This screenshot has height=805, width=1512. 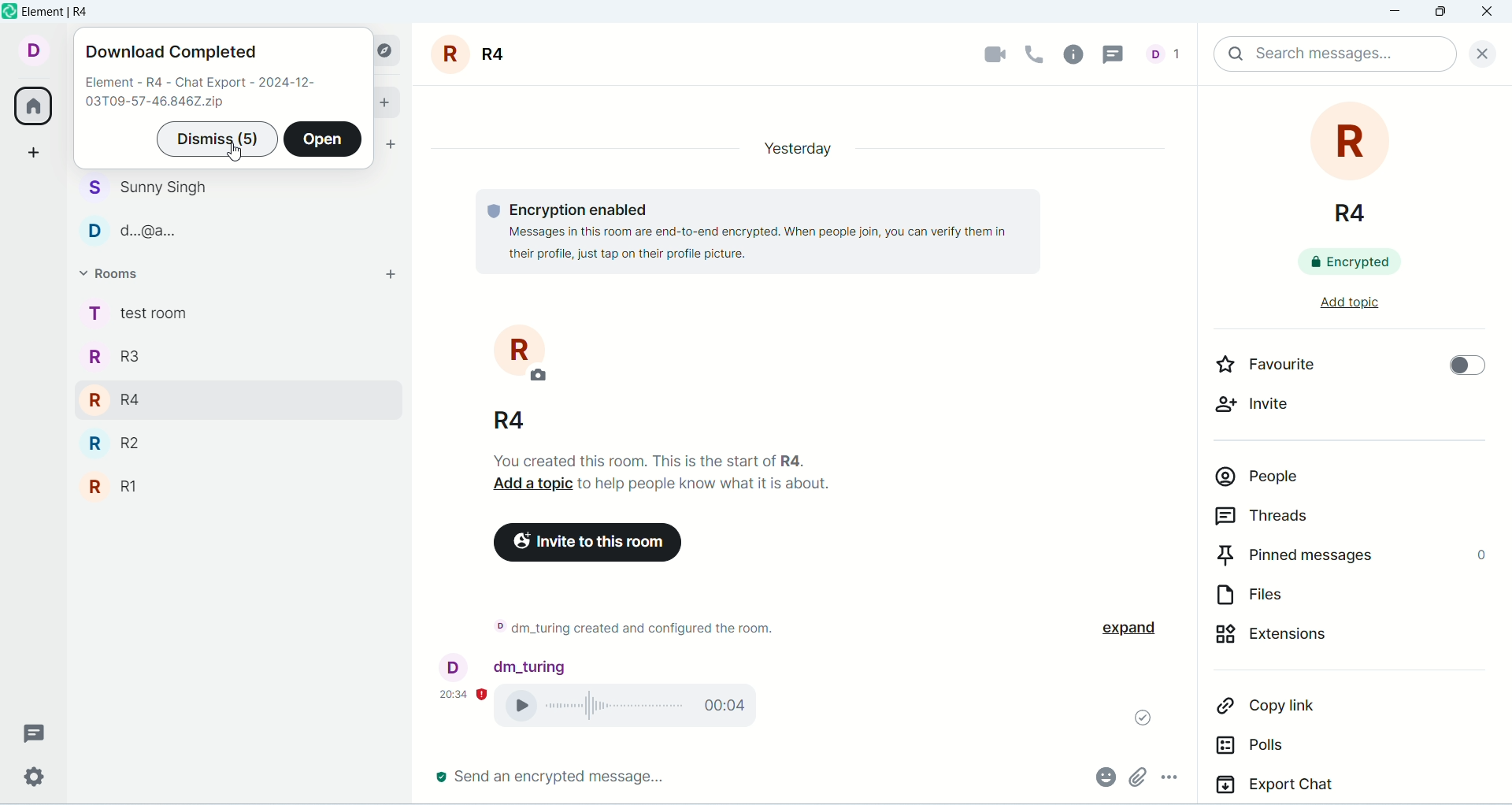 I want to click on search message, so click(x=1334, y=54).